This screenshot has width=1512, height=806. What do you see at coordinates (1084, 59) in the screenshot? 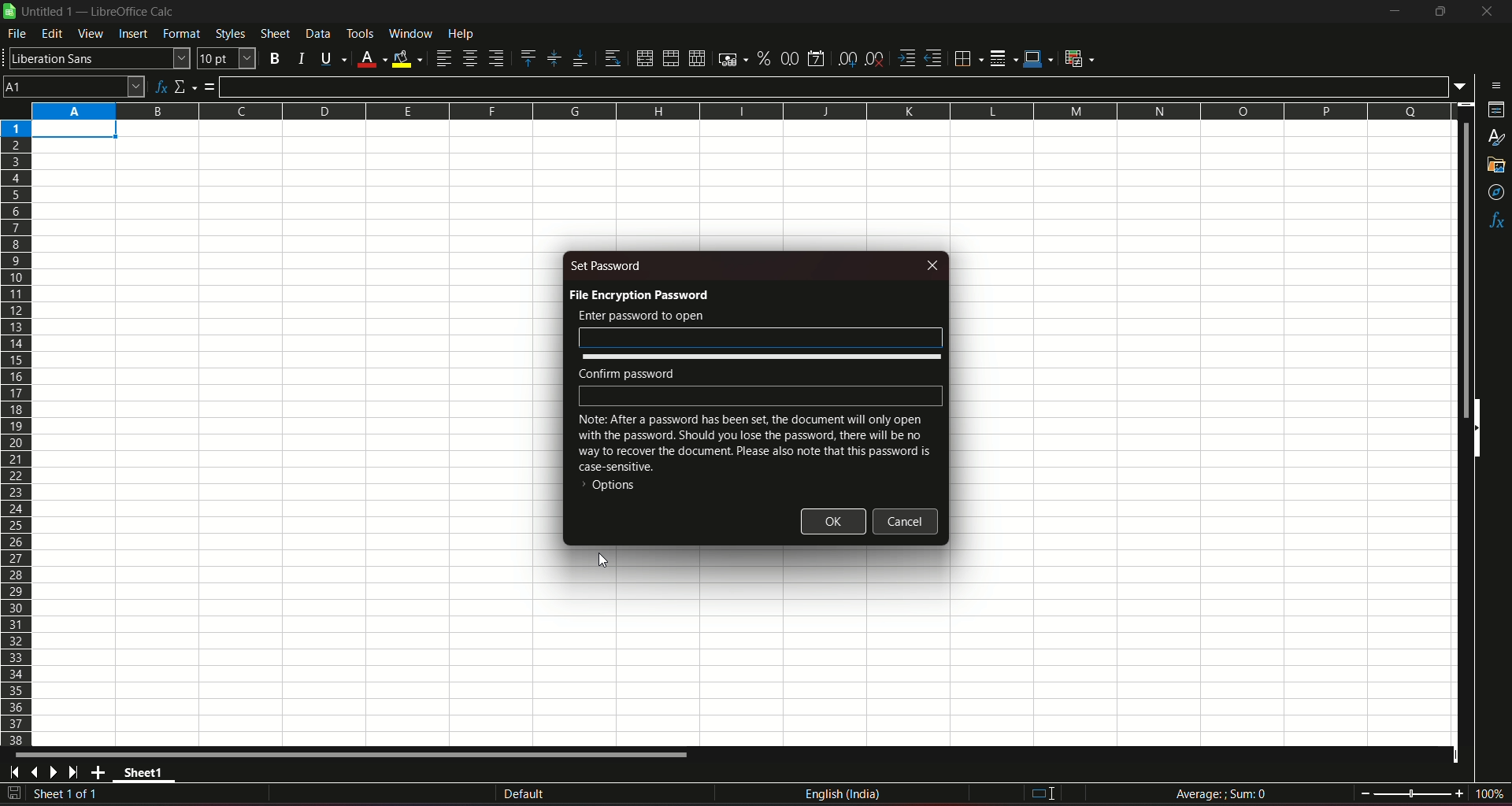
I see `conditional` at bounding box center [1084, 59].